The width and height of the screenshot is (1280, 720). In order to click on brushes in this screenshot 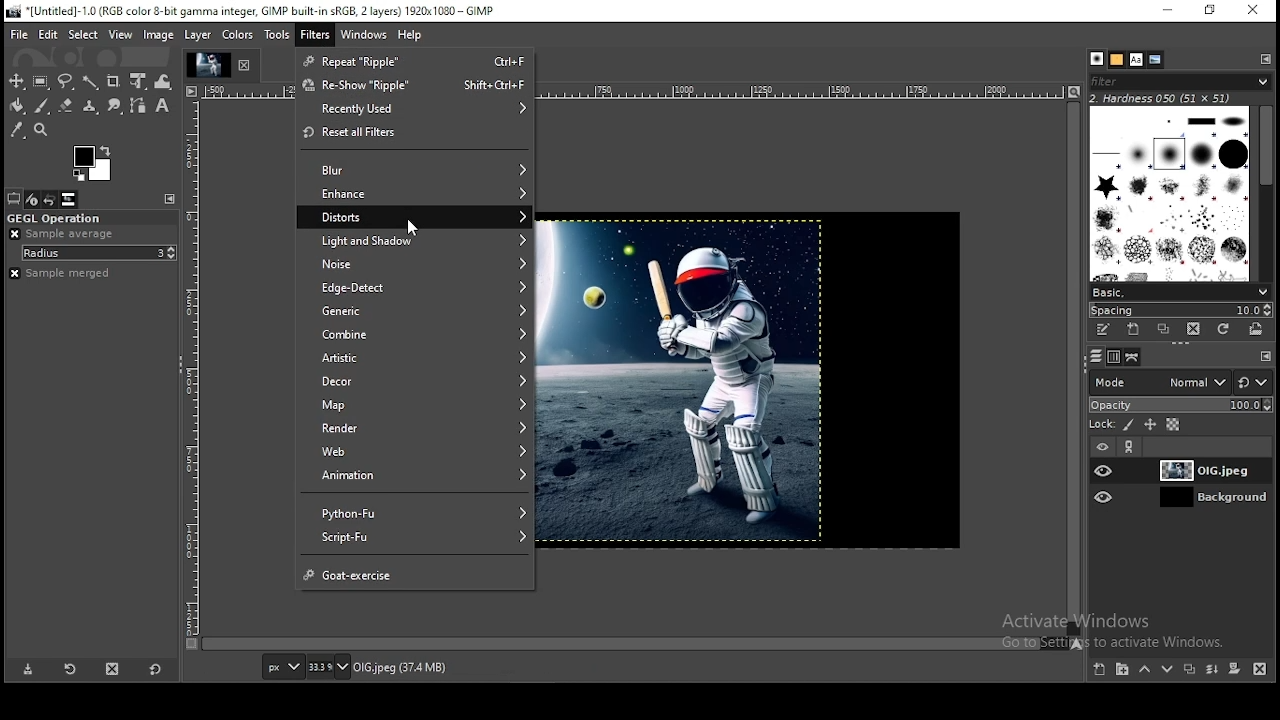, I will do `click(1098, 58)`.